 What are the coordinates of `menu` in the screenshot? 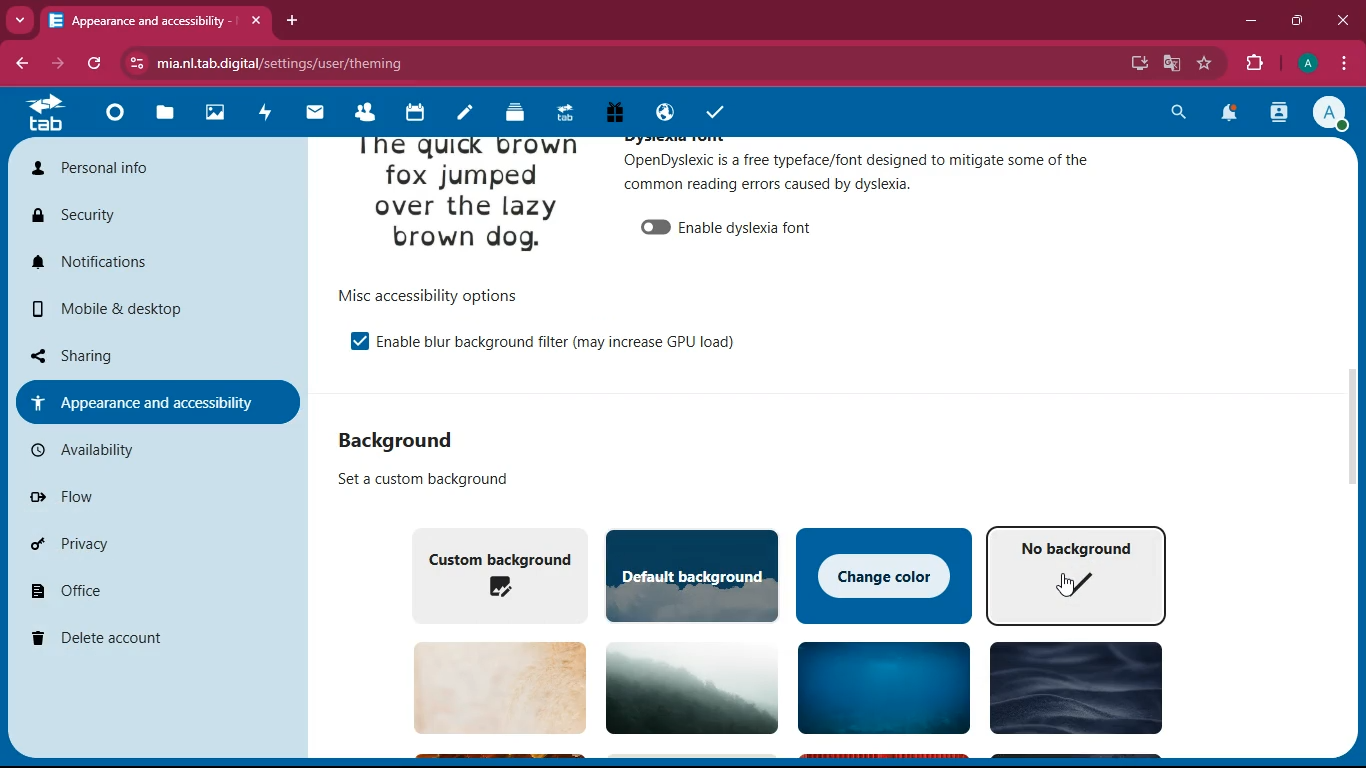 It's located at (1344, 61).